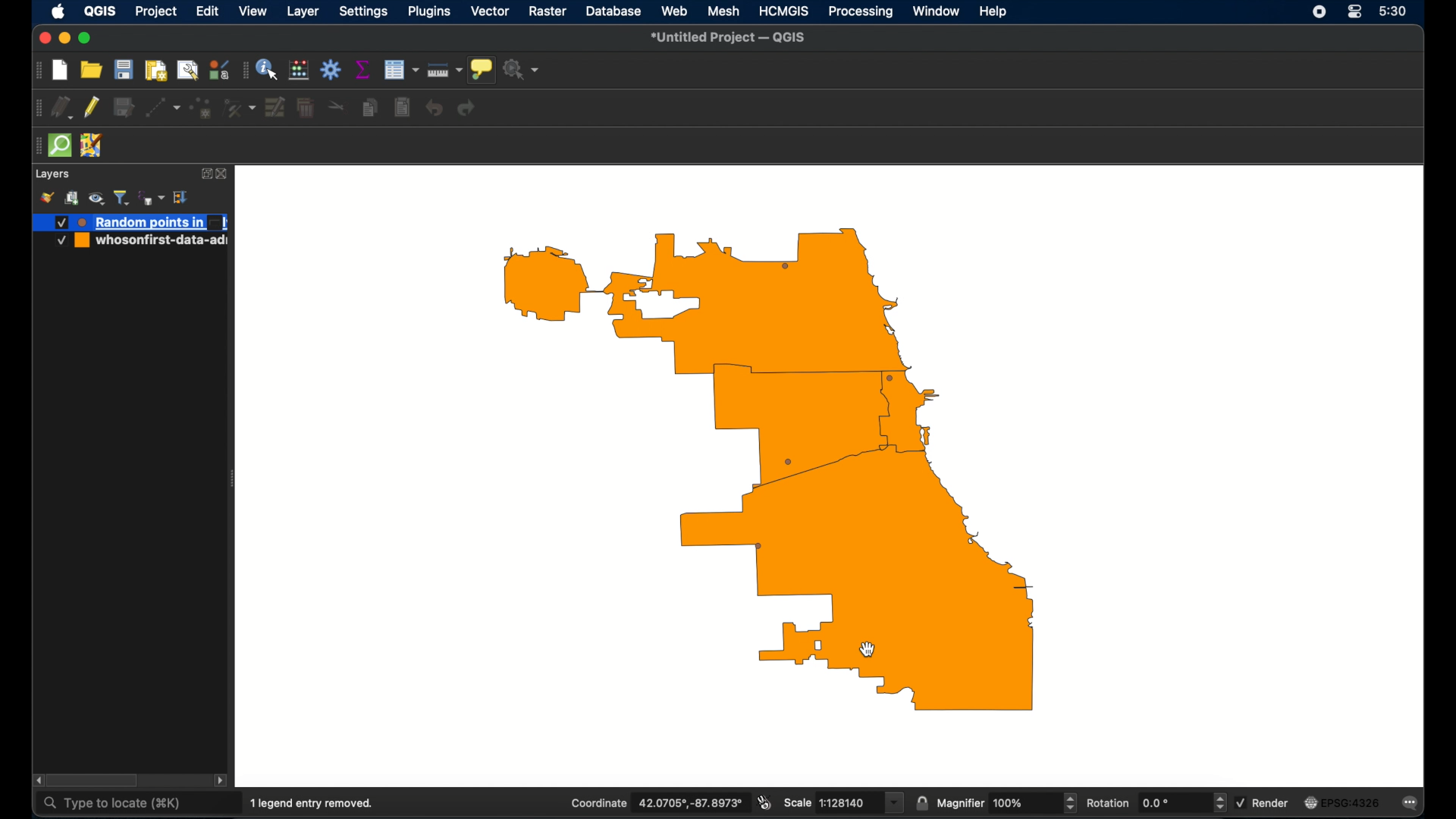 The height and width of the screenshot is (819, 1456). What do you see at coordinates (59, 144) in the screenshot?
I see `quick osm` at bounding box center [59, 144].